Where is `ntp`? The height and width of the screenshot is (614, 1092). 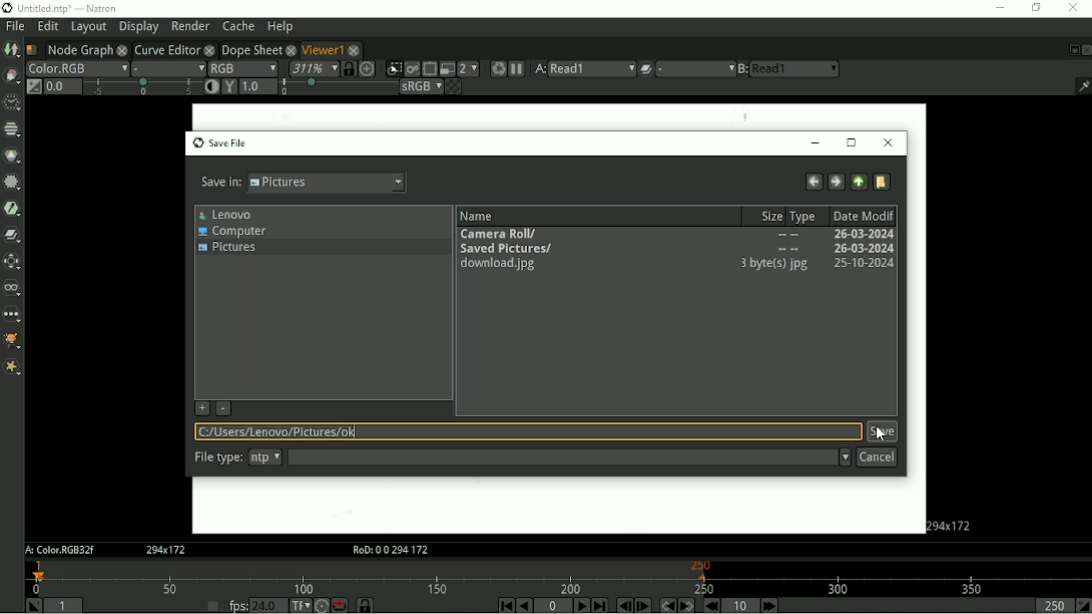
ntp is located at coordinates (266, 457).